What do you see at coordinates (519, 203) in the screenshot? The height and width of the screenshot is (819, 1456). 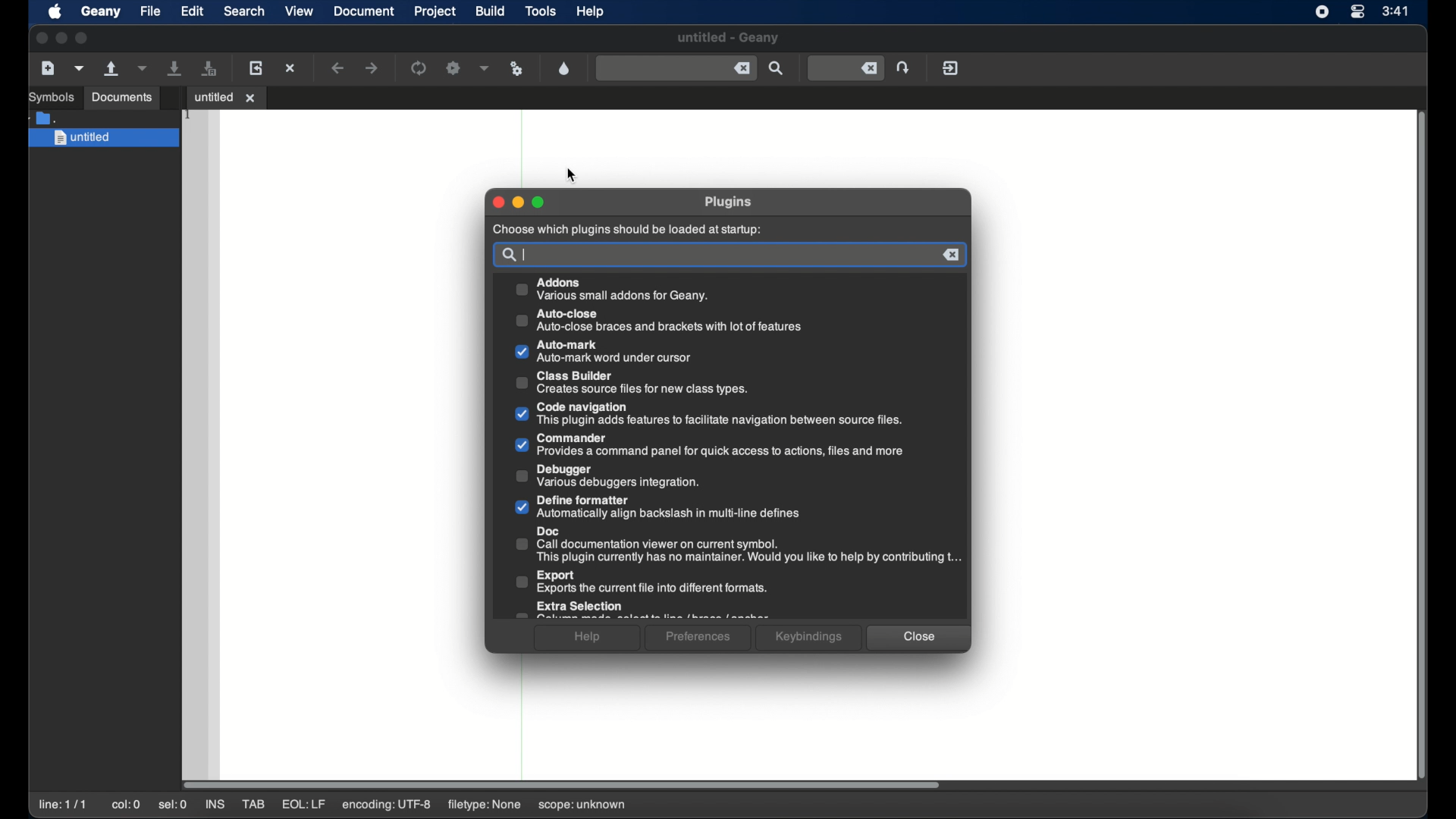 I see `minimize` at bounding box center [519, 203].